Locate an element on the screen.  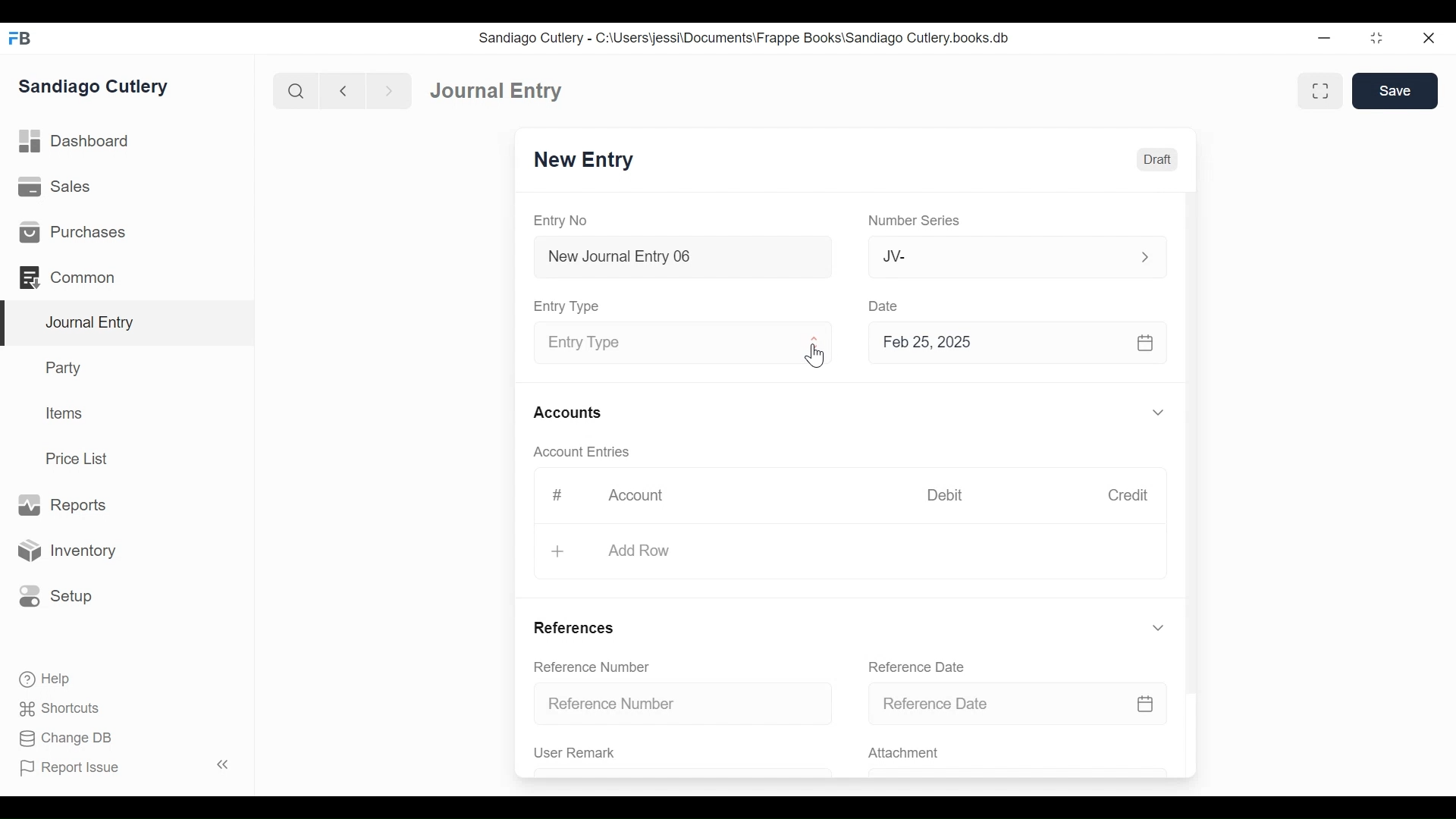
Account Entries is located at coordinates (585, 452).